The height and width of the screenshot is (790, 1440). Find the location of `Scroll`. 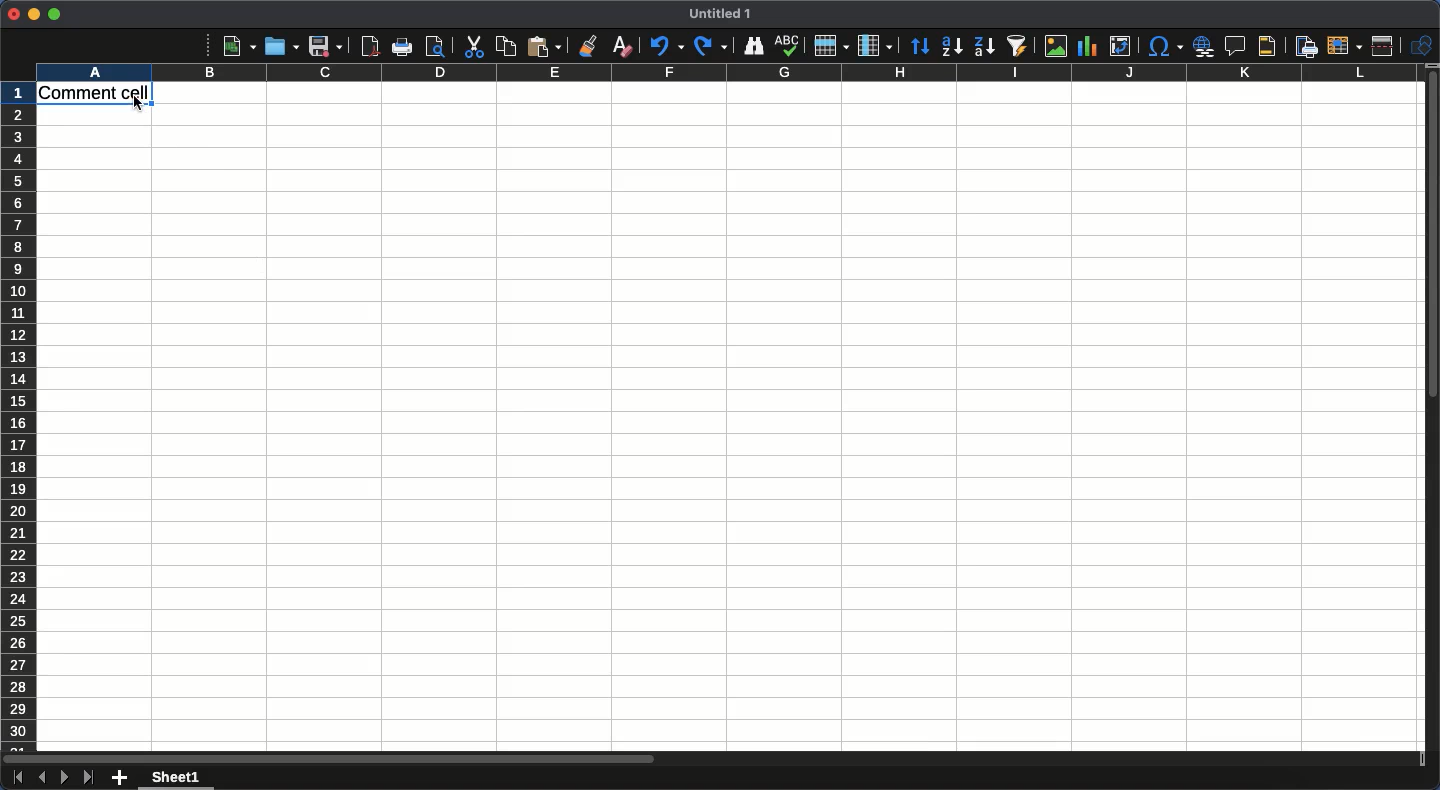

Scroll is located at coordinates (1431, 402).